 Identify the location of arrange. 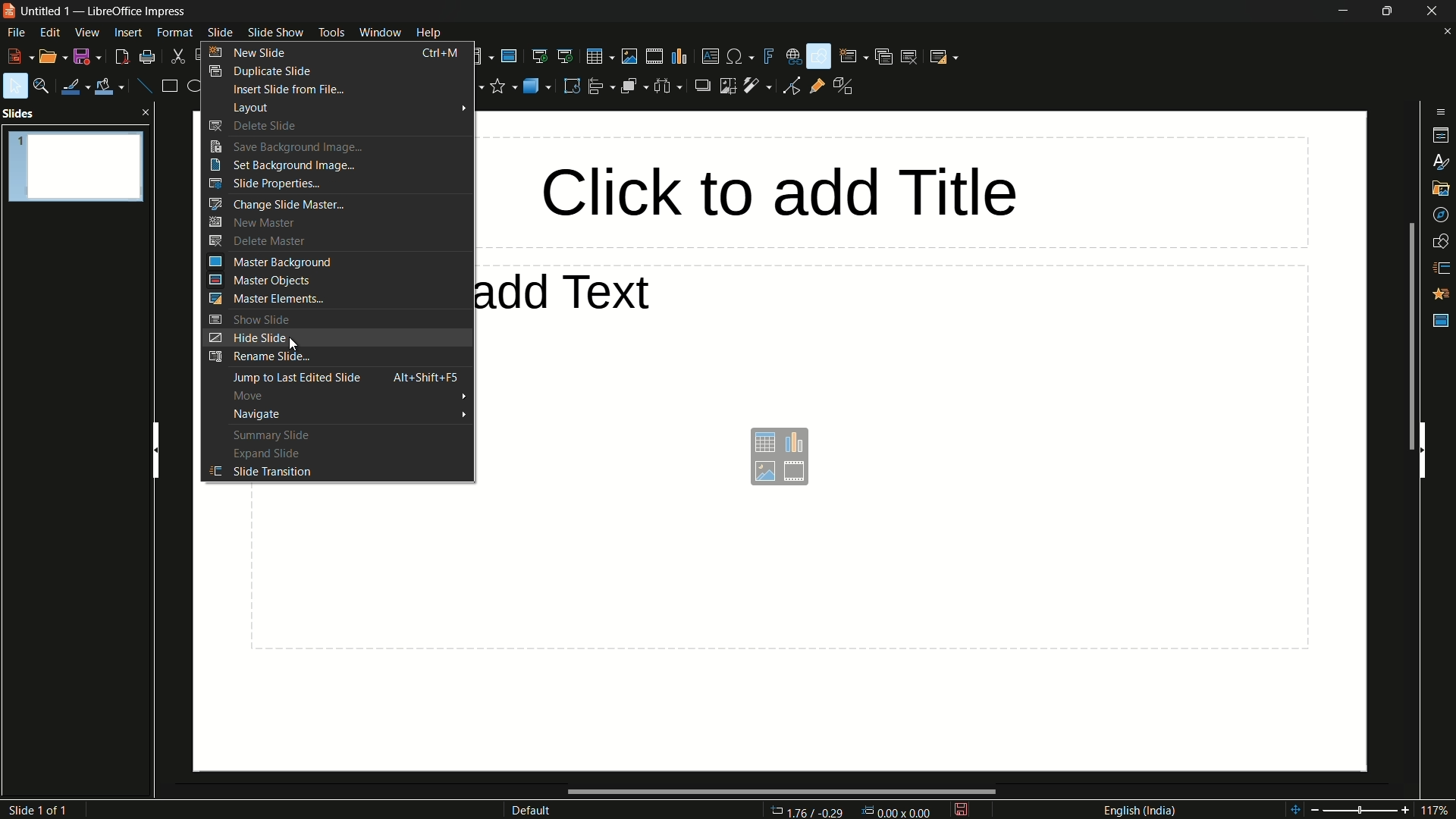
(633, 87).